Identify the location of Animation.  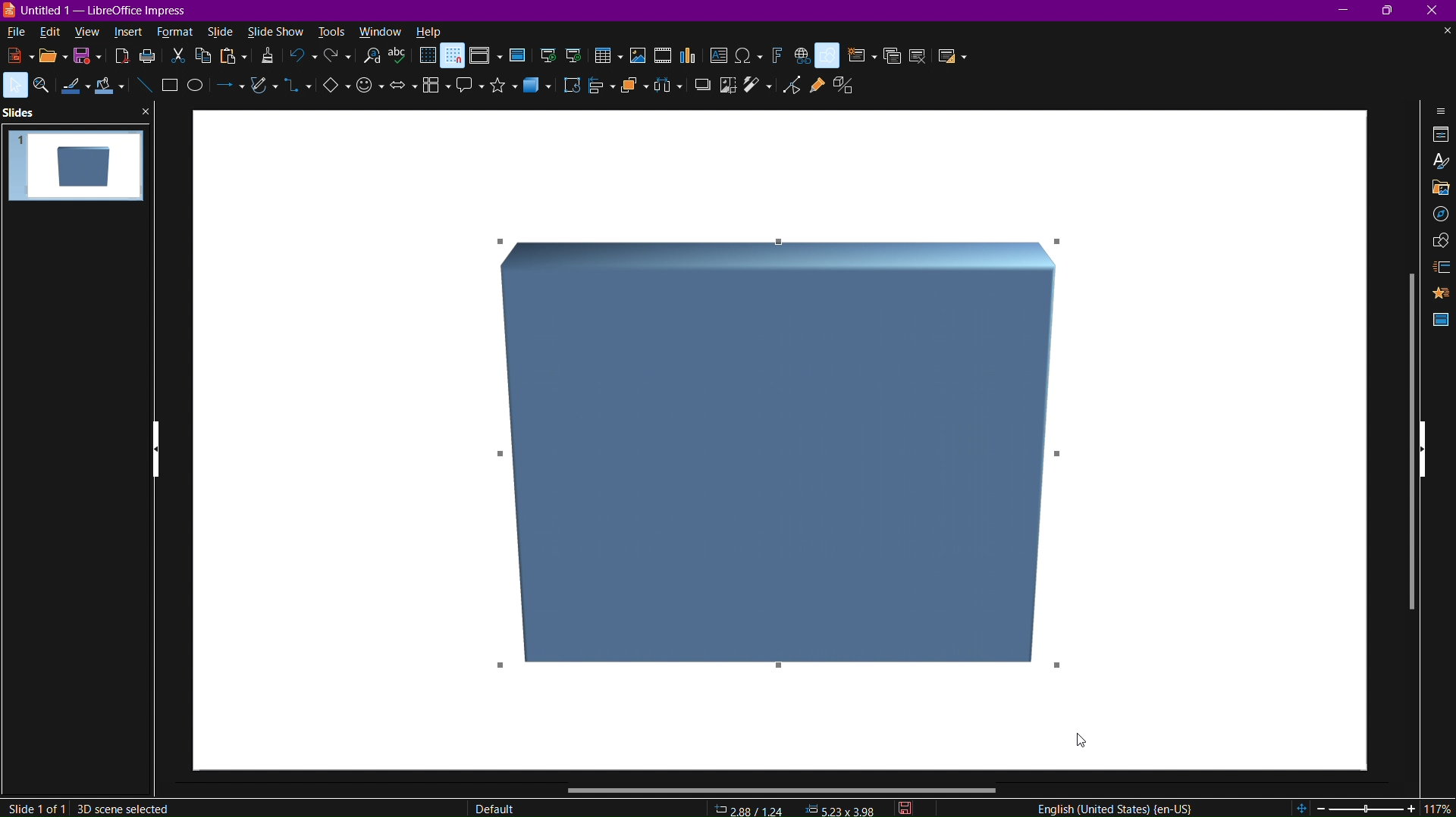
(1441, 293).